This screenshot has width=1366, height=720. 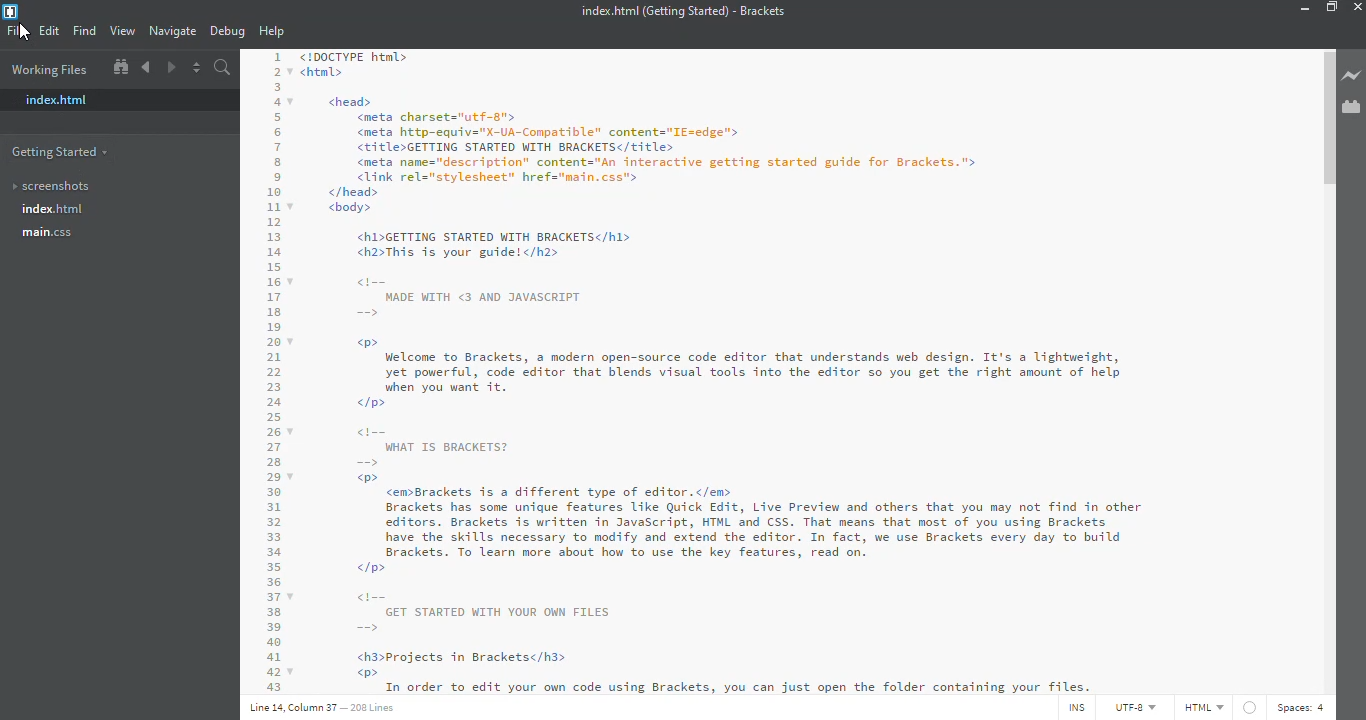 I want to click on extension manager, so click(x=1351, y=107).